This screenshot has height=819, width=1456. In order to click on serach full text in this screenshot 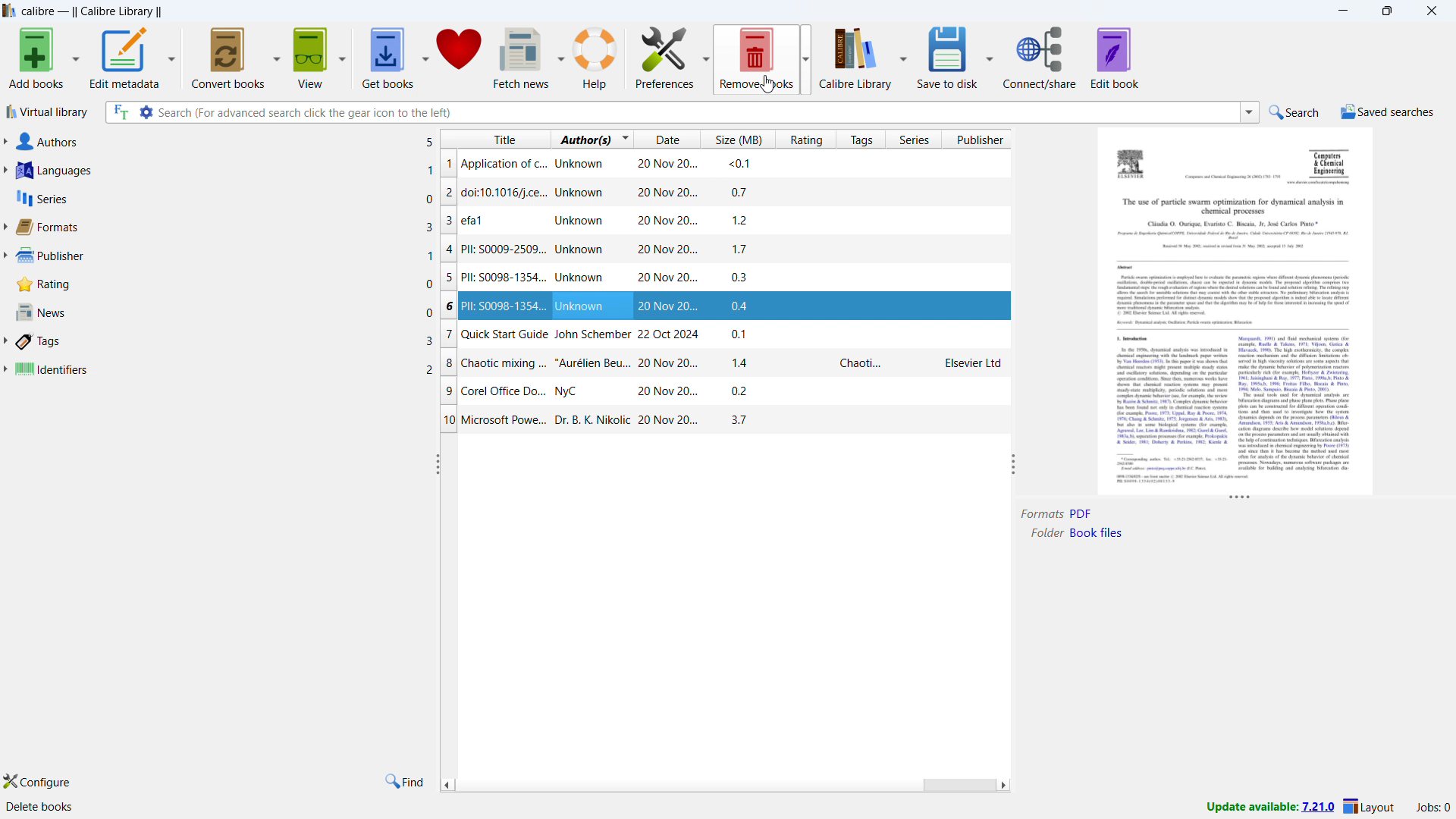, I will do `click(118, 113)`.